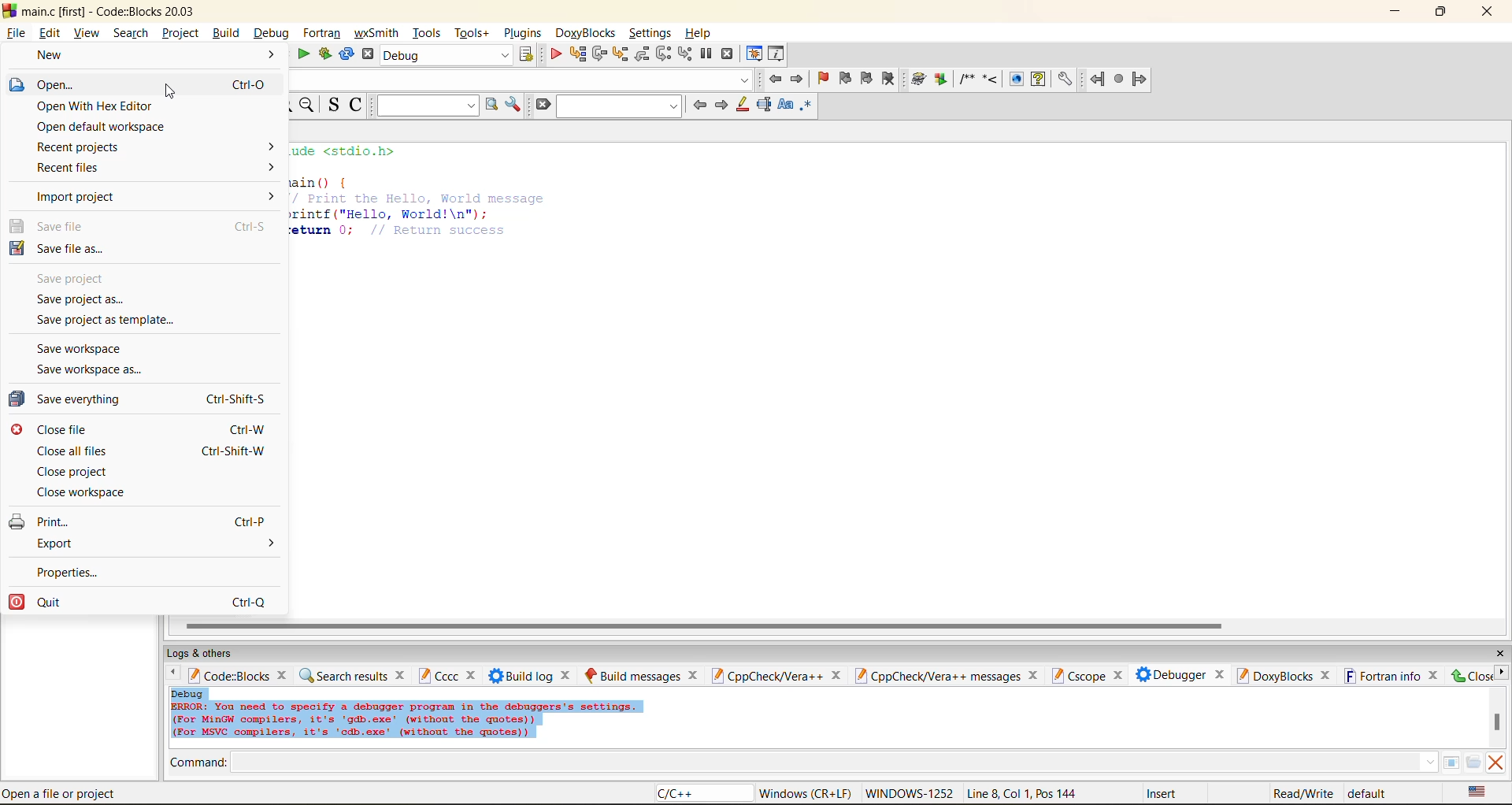 This screenshot has height=805, width=1512. What do you see at coordinates (641, 54) in the screenshot?
I see `step out` at bounding box center [641, 54].